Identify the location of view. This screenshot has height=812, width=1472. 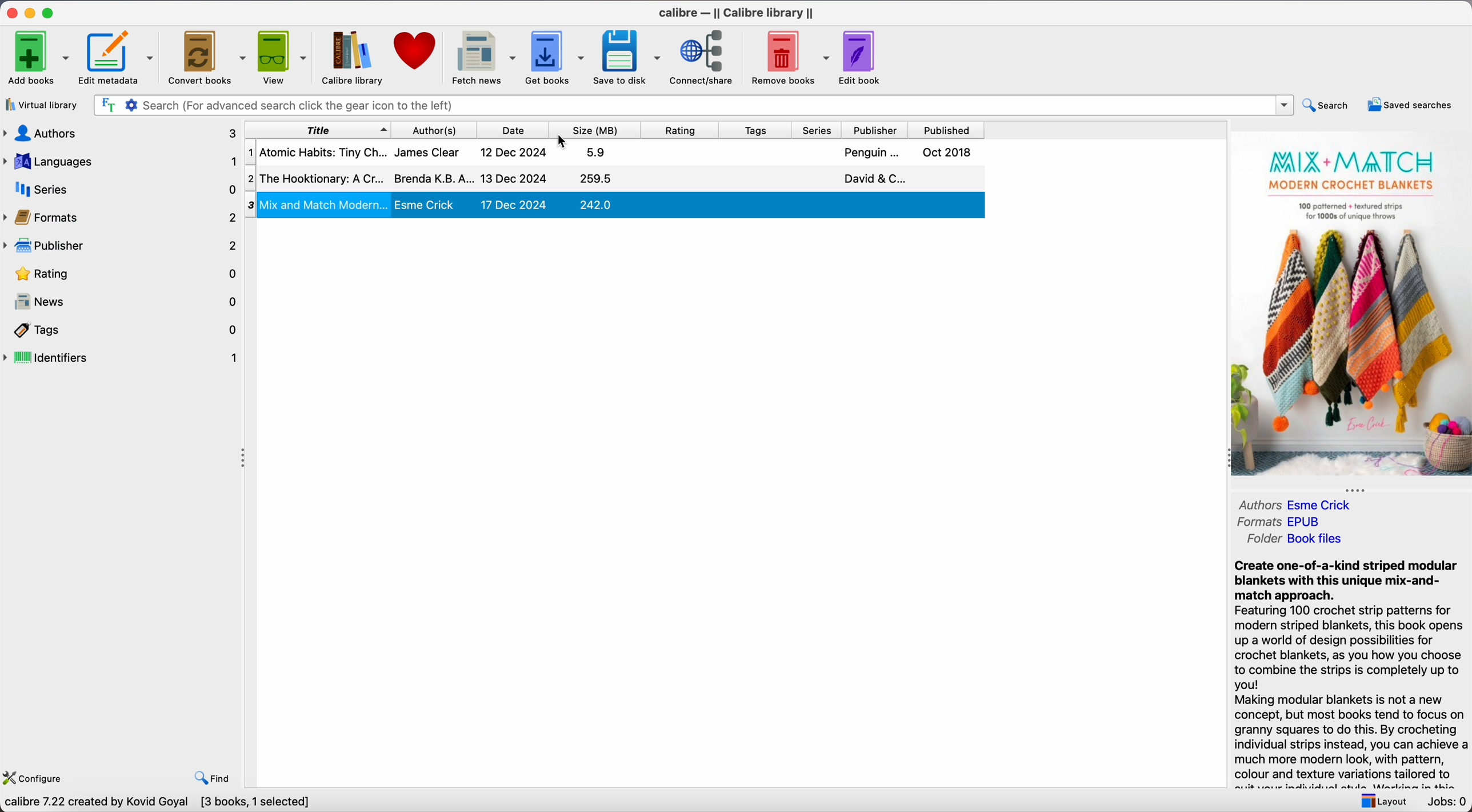
(283, 57).